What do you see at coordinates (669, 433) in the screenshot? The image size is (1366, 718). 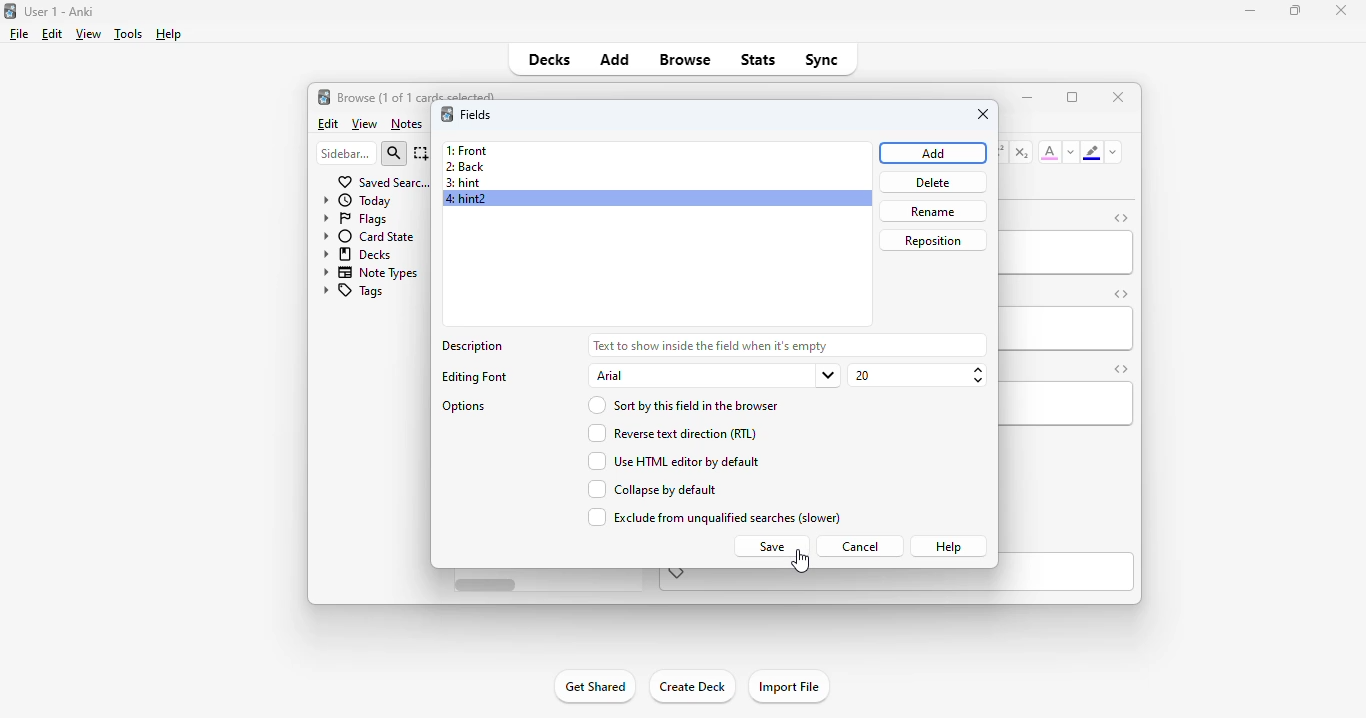 I see `reverse text direction` at bounding box center [669, 433].